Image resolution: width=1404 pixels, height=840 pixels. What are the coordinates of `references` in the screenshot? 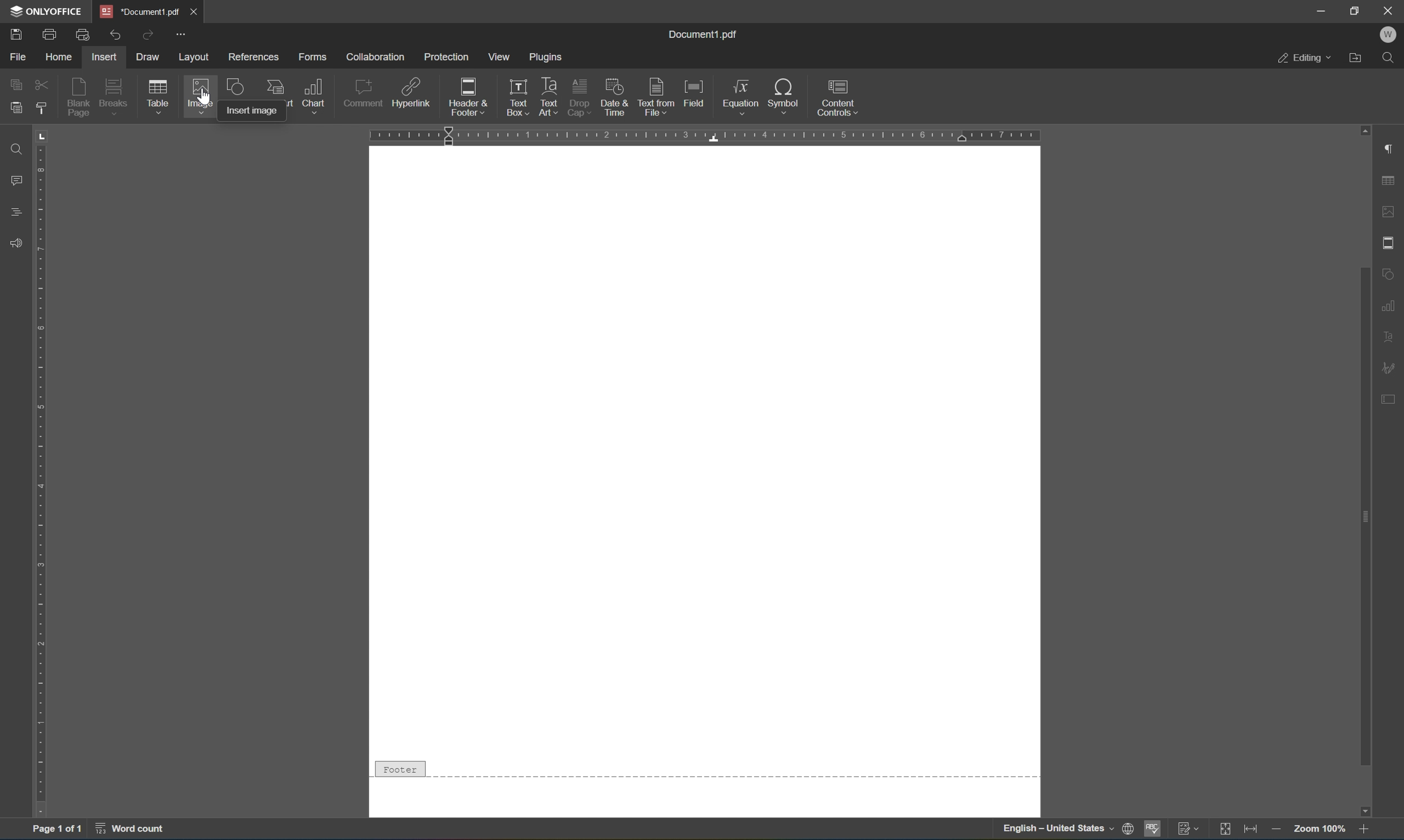 It's located at (251, 59).